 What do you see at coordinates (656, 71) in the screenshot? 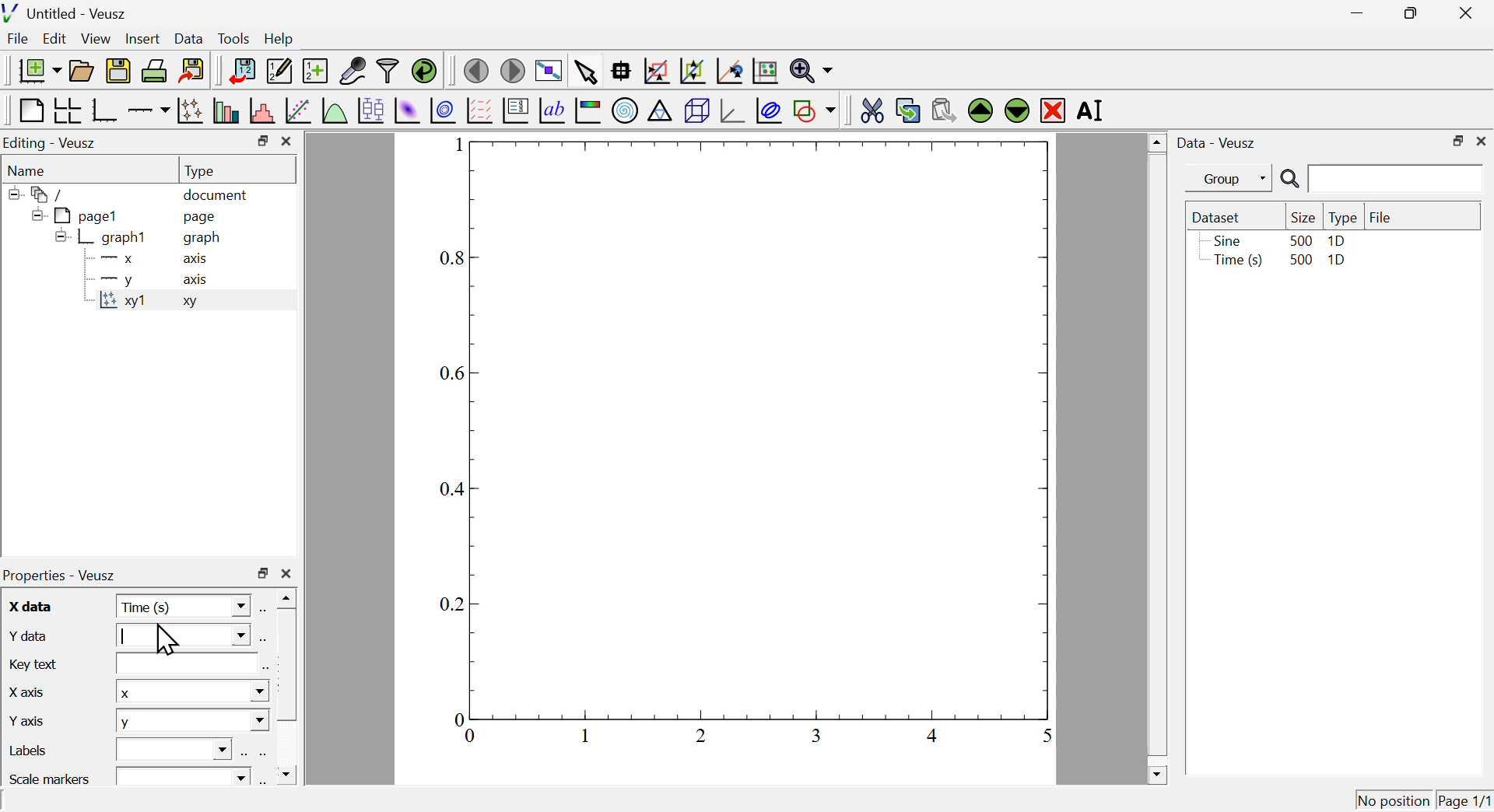
I see `draw a rectangle to zoom graph axes` at bounding box center [656, 71].